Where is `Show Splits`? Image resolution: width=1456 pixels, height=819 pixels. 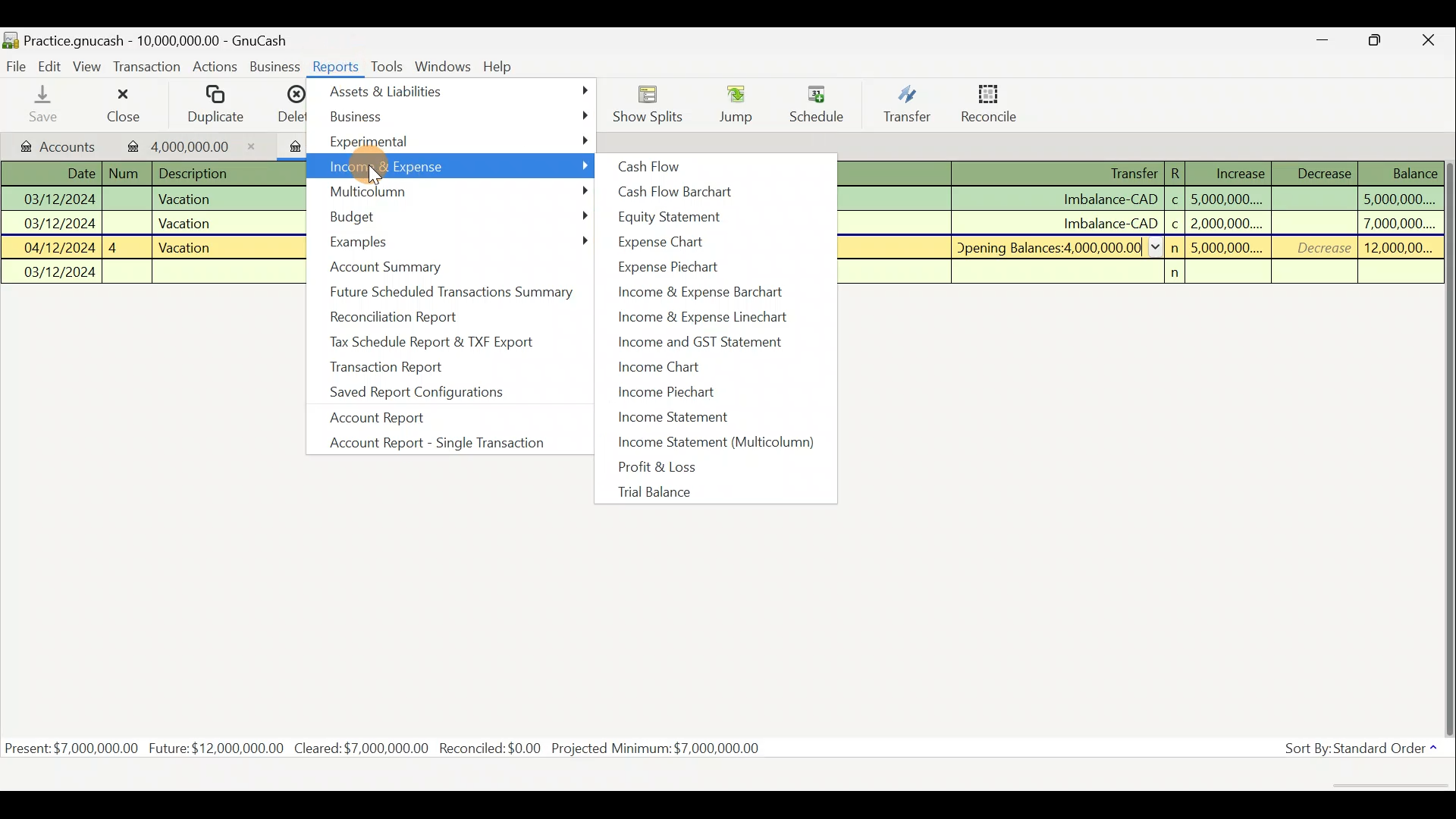
Show Splits is located at coordinates (649, 103).